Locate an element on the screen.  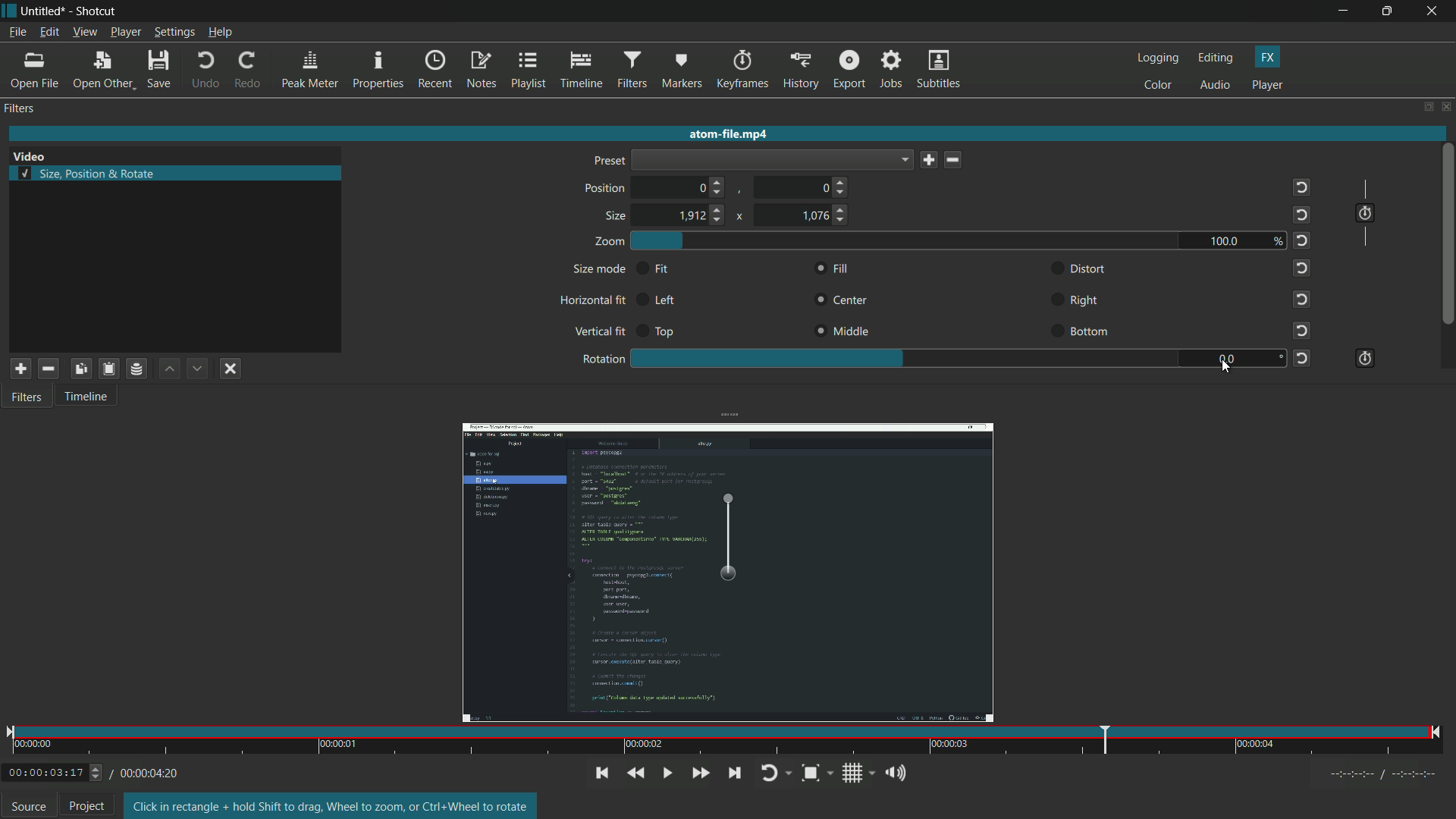
color is located at coordinates (1161, 86).